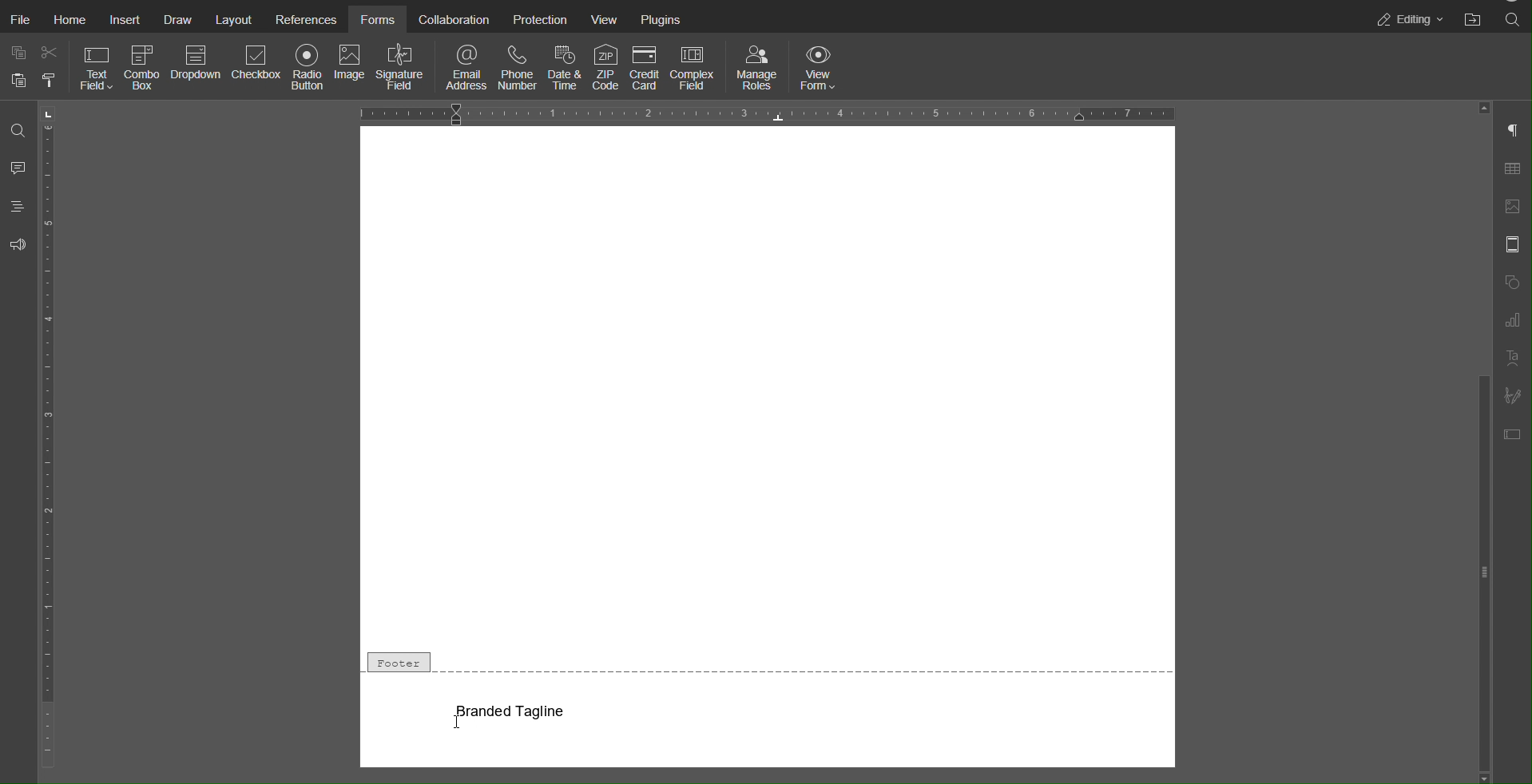 The image size is (1532, 784). What do you see at coordinates (514, 711) in the screenshot?
I see `Branded Tagline` at bounding box center [514, 711].